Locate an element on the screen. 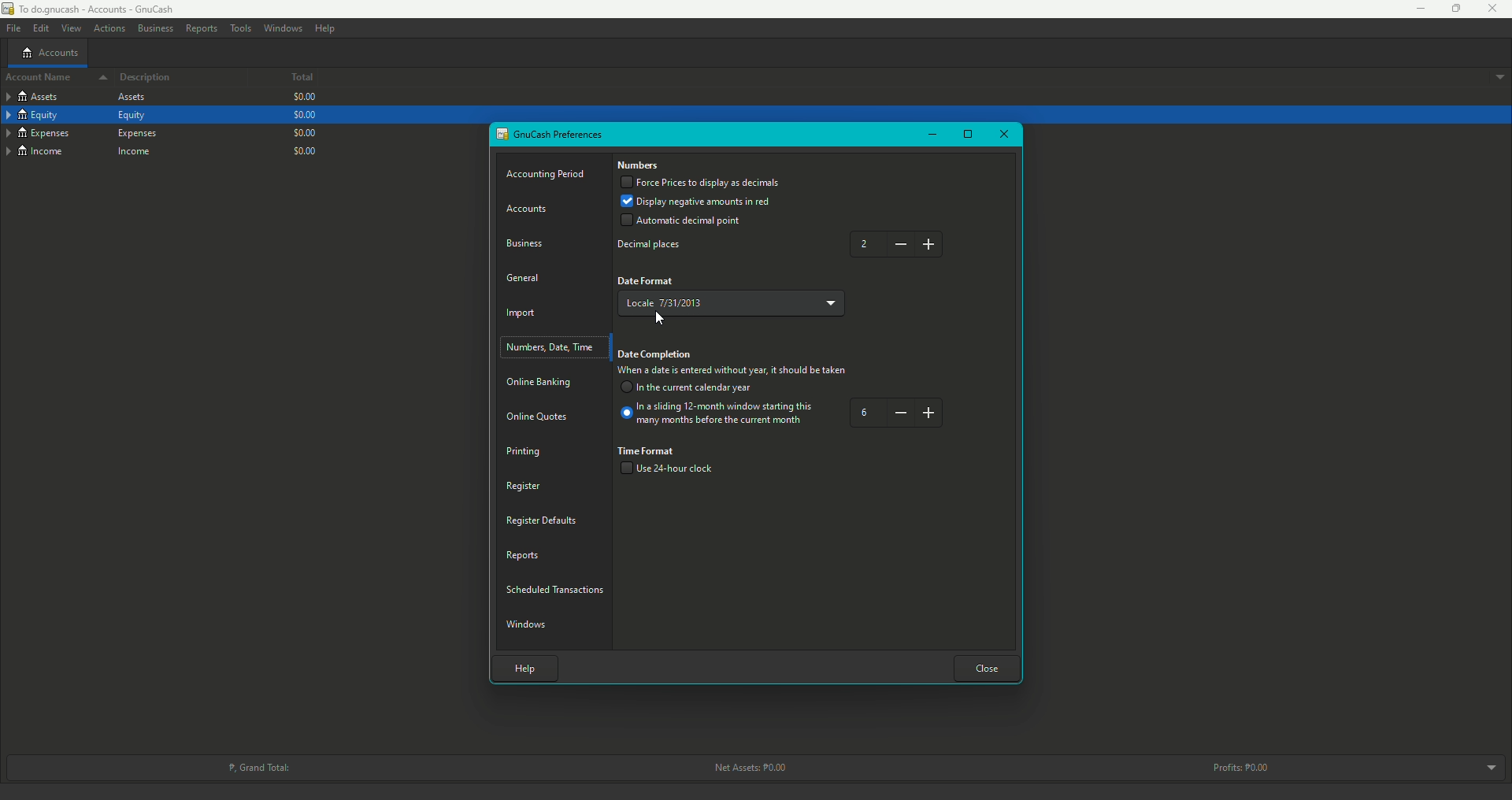 Image resolution: width=1512 pixels, height=800 pixels. Register is located at coordinates (522, 485).